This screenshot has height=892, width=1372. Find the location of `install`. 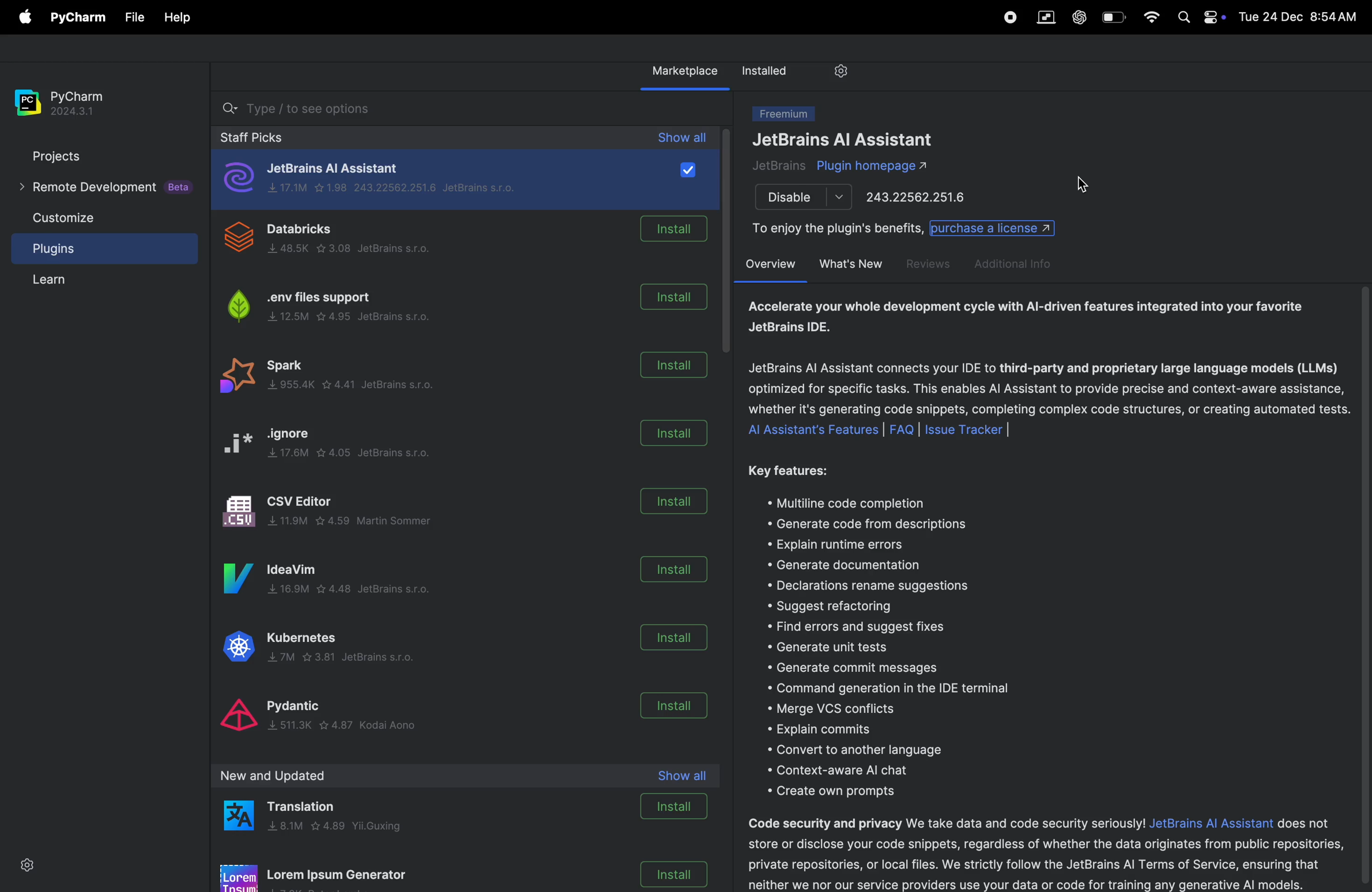

install is located at coordinates (675, 879).